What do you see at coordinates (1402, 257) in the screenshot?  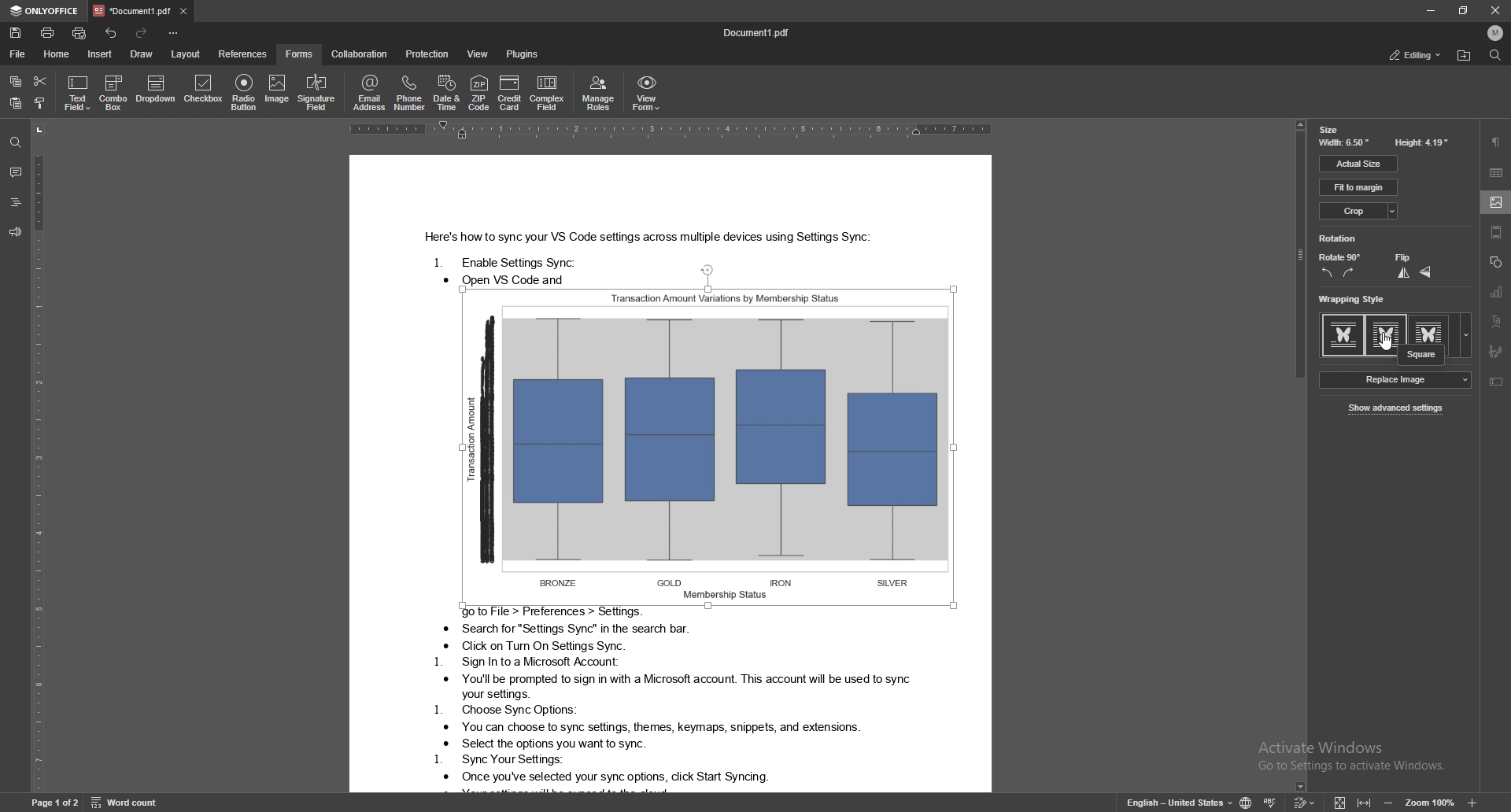 I see `flip` at bounding box center [1402, 257].